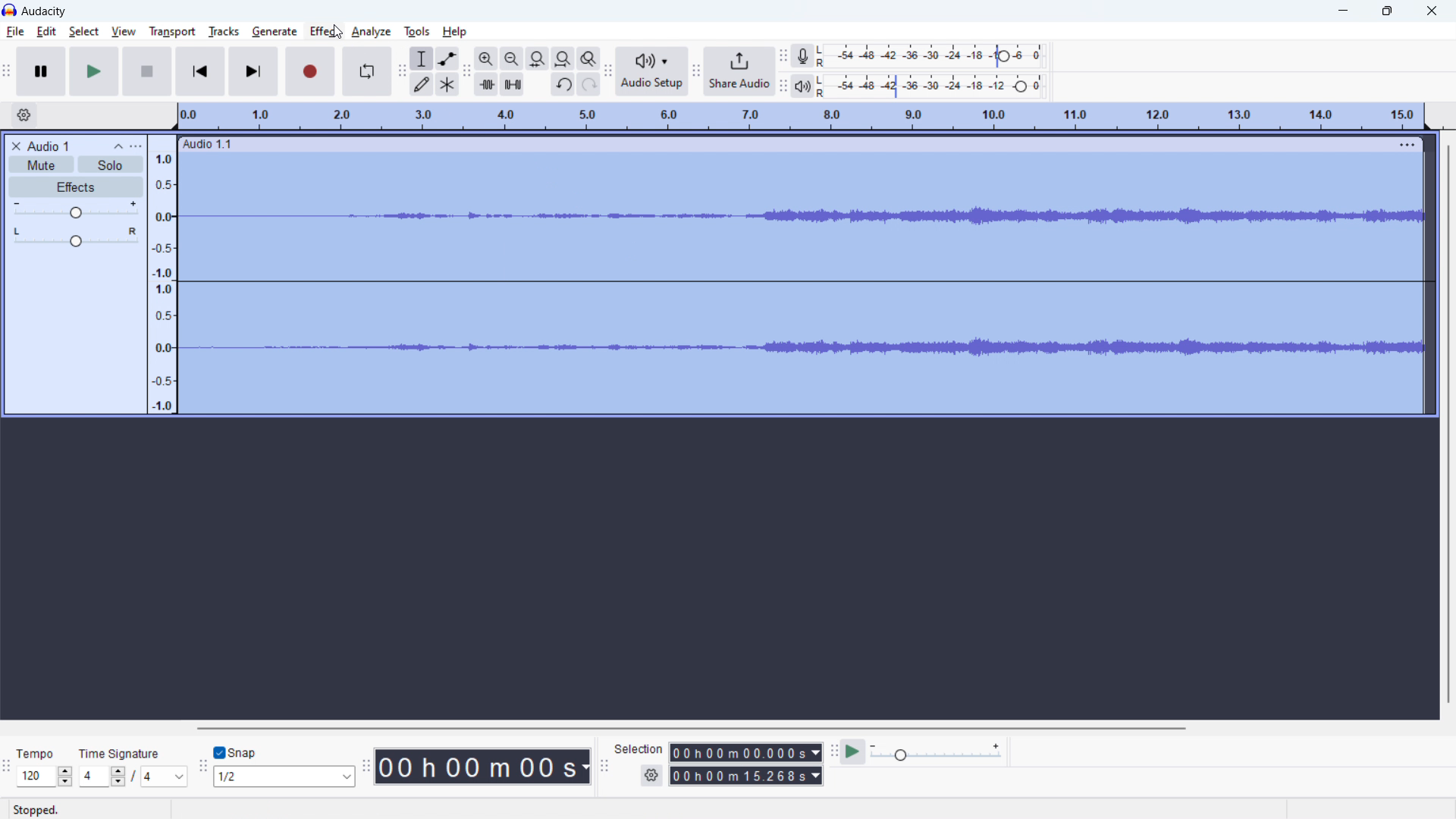  What do you see at coordinates (41, 164) in the screenshot?
I see `mute` at bounding box center [41, 164].